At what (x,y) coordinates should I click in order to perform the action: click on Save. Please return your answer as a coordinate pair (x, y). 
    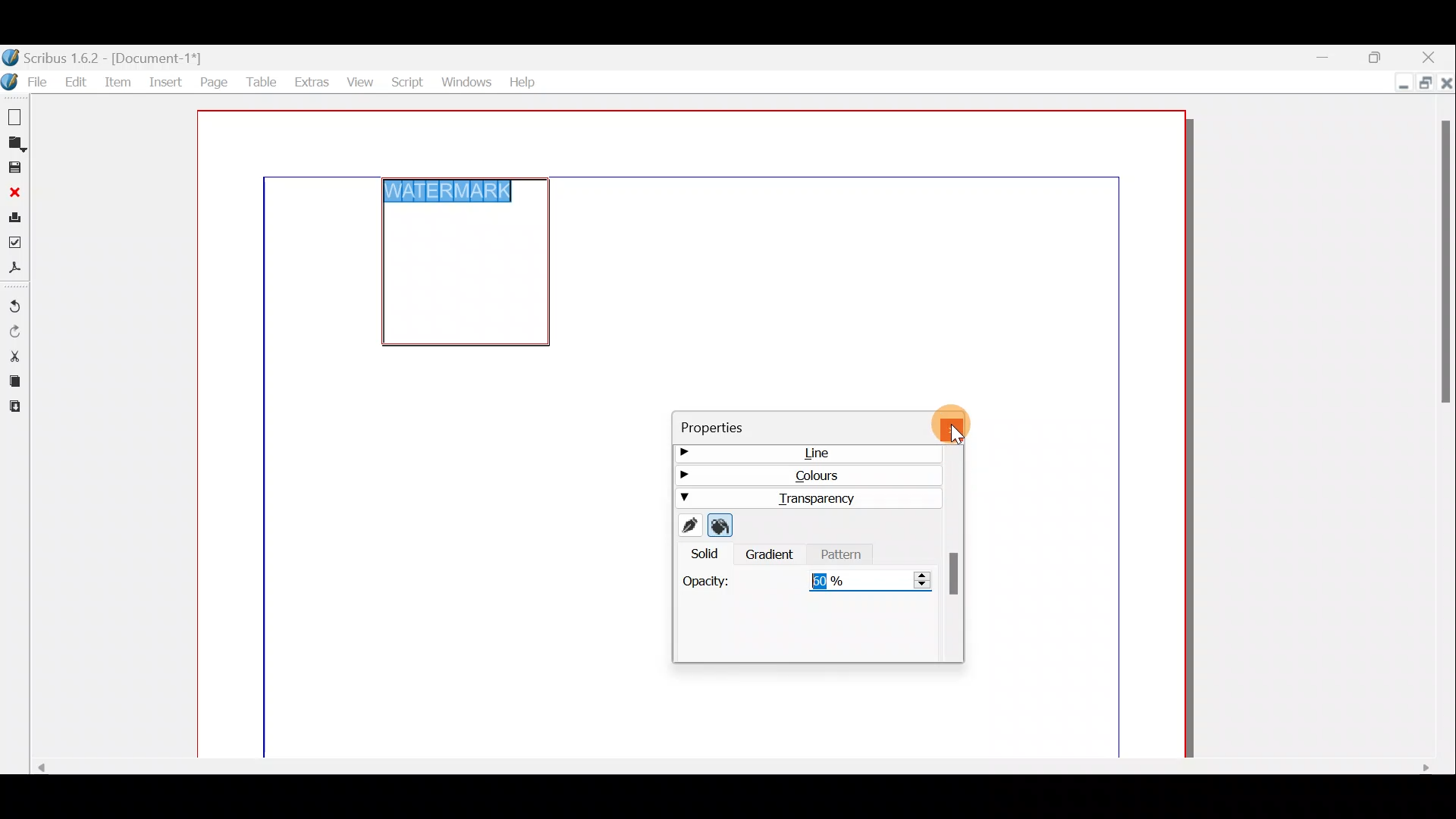
    Looking at the image, I should click on (14, 168).